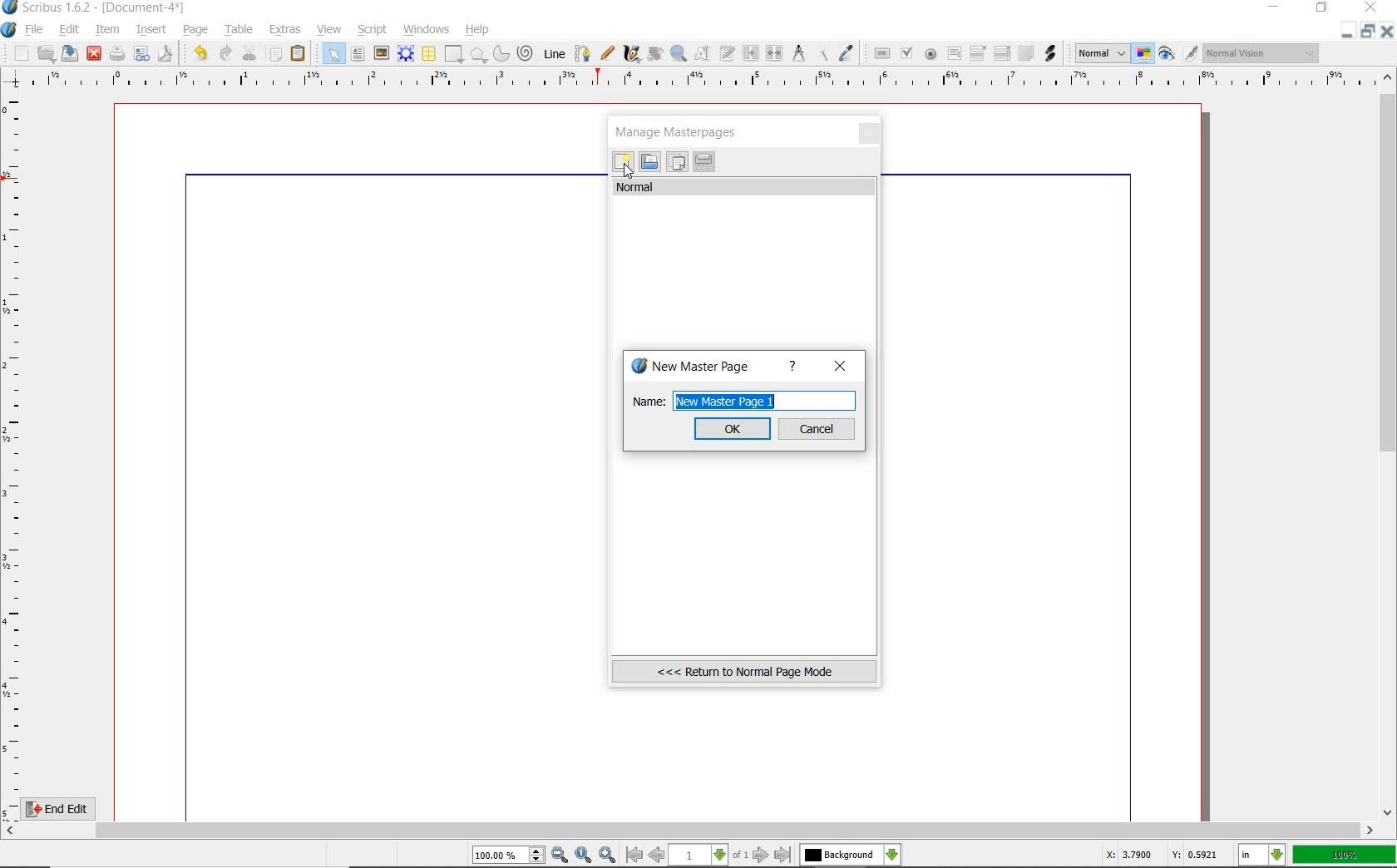  I want to click on windows, so click(426, 28).